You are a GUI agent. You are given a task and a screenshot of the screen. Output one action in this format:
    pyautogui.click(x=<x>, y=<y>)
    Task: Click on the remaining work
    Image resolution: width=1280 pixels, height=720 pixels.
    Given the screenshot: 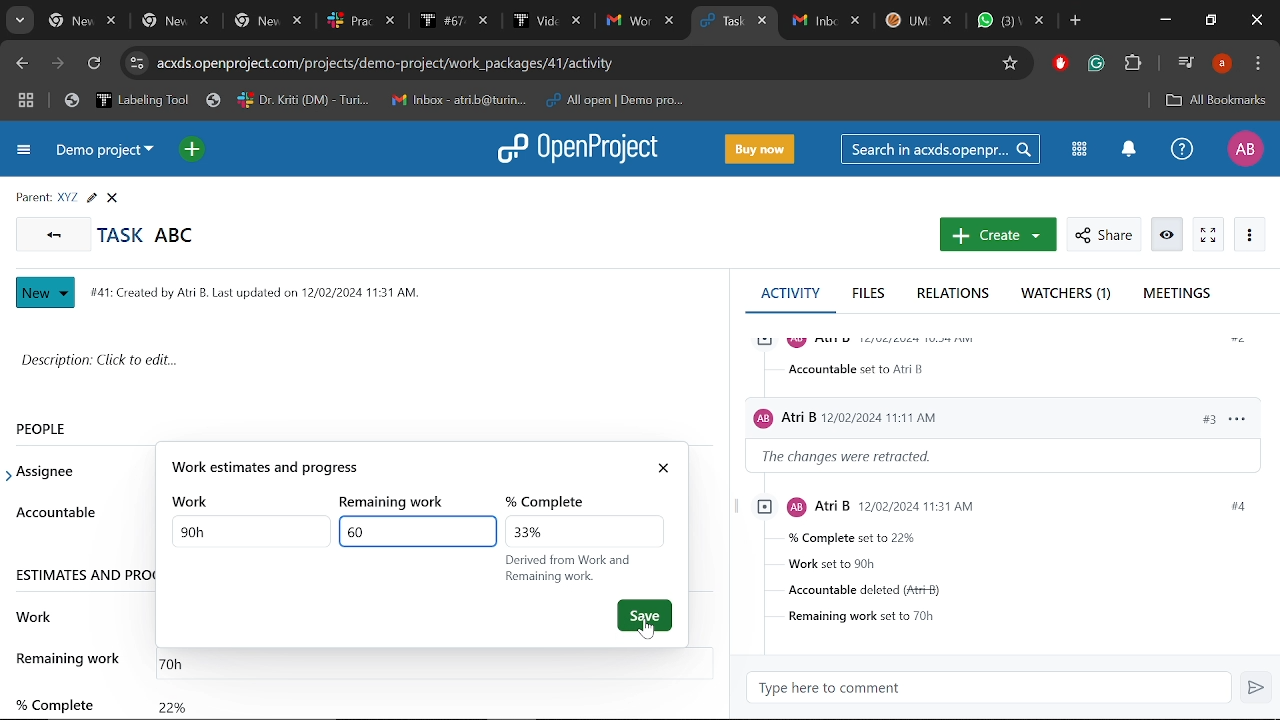 What is the action you would take?
    pyautogui.click(x=71, y=658)
    